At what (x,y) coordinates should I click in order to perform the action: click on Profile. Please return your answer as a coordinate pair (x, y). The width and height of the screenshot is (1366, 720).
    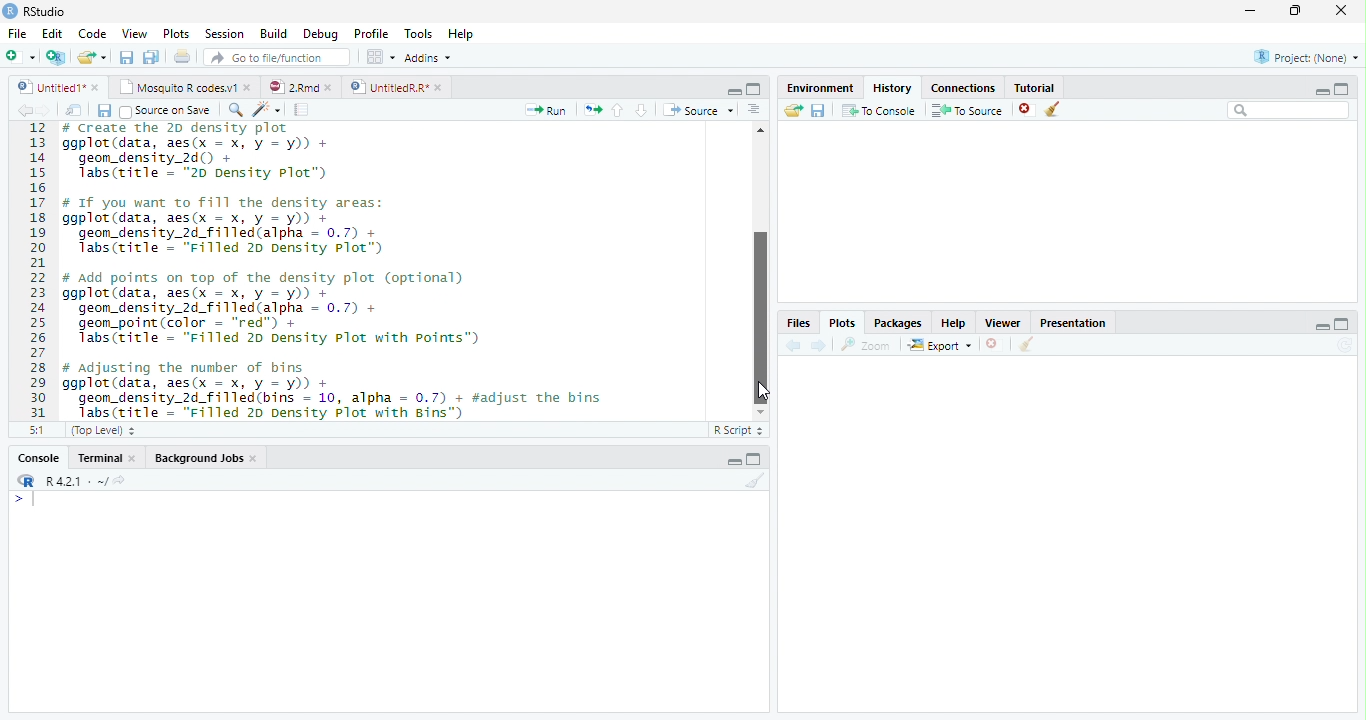
    Looking at the image, I should click on (372, 34).